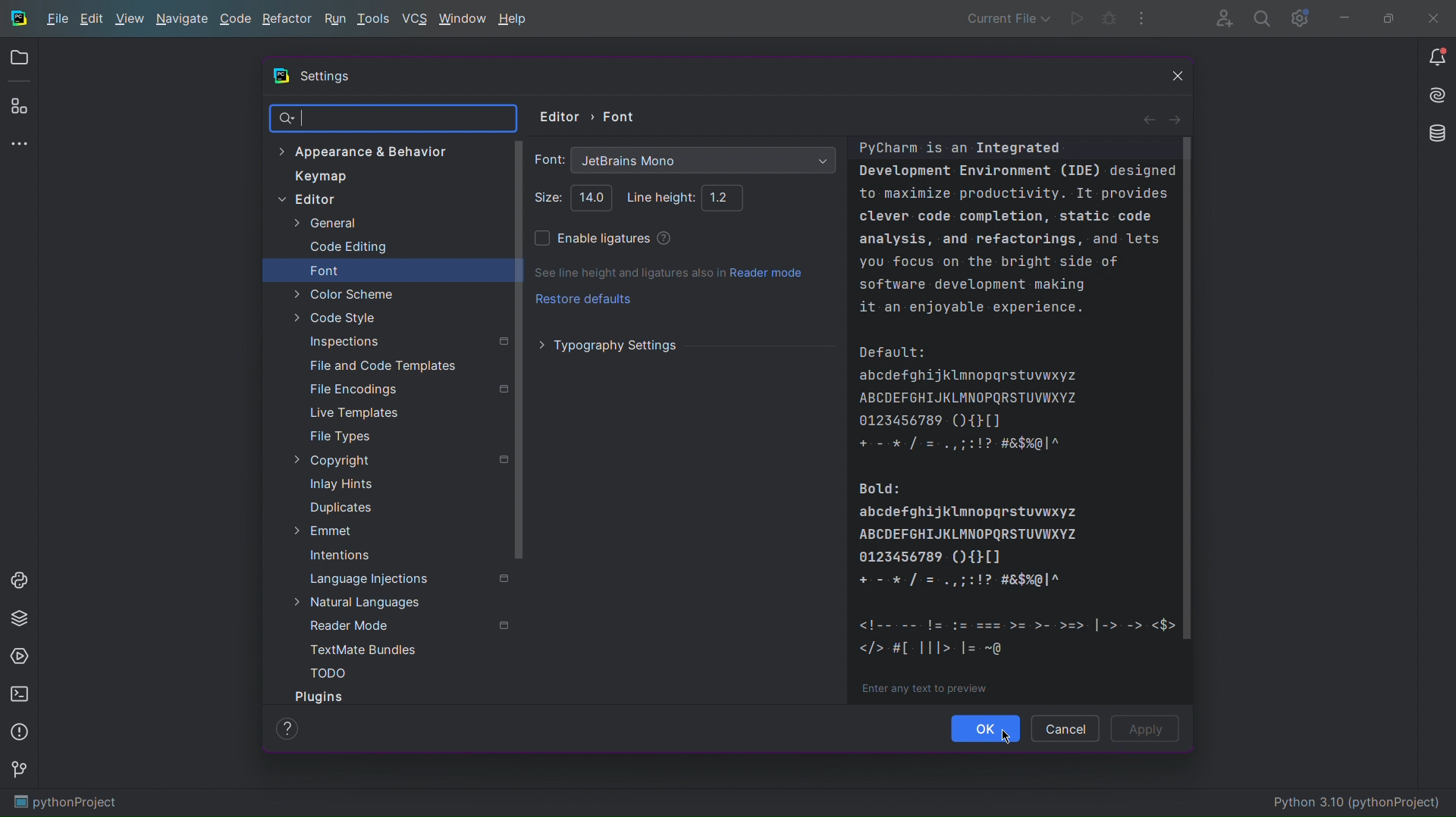 The height and width of the screenshot is (817, 1456). I want to click on Window, so click(462, 20).